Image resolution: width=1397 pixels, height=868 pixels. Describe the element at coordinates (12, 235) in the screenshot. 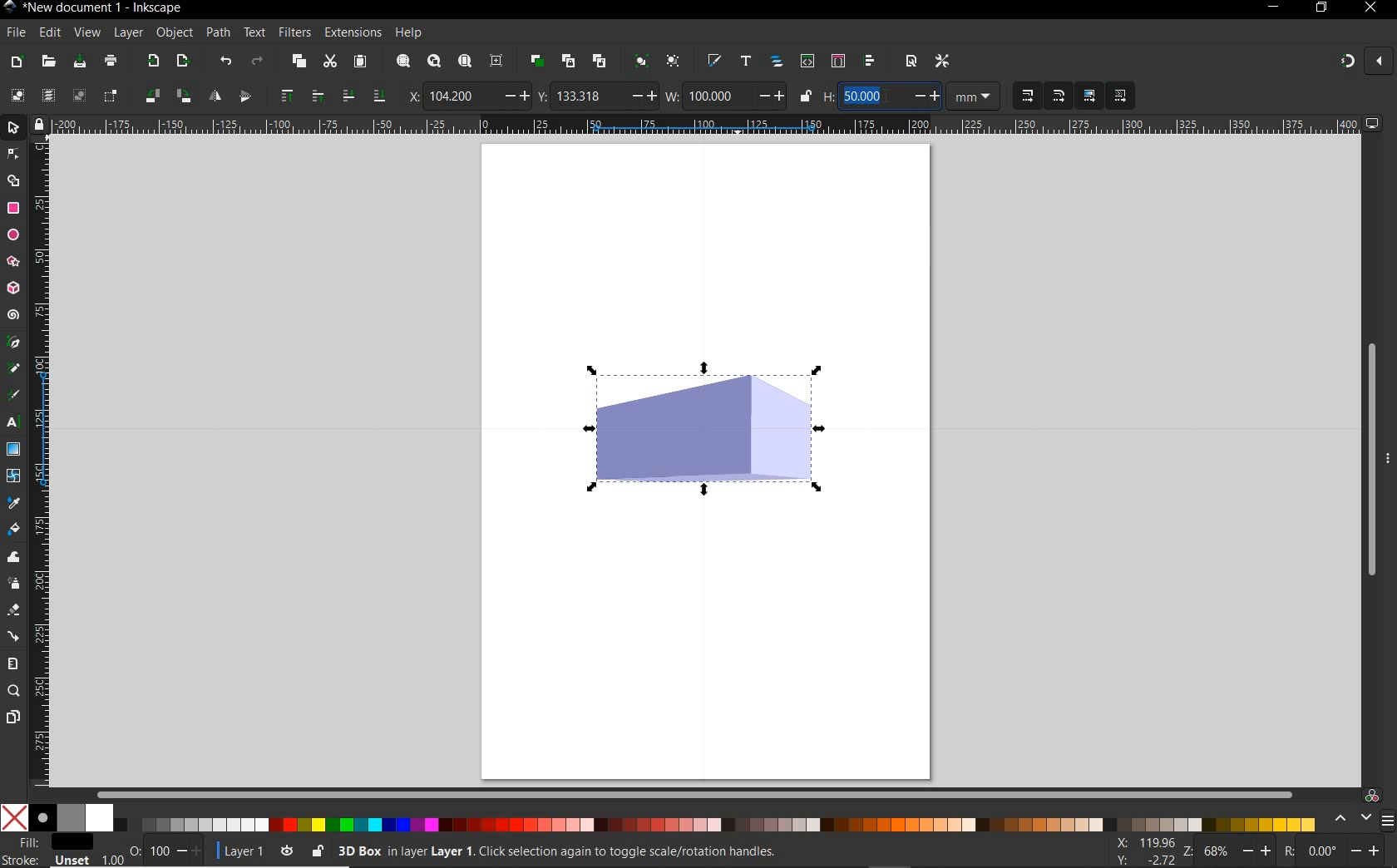

I see `ellipse tool` at that location.